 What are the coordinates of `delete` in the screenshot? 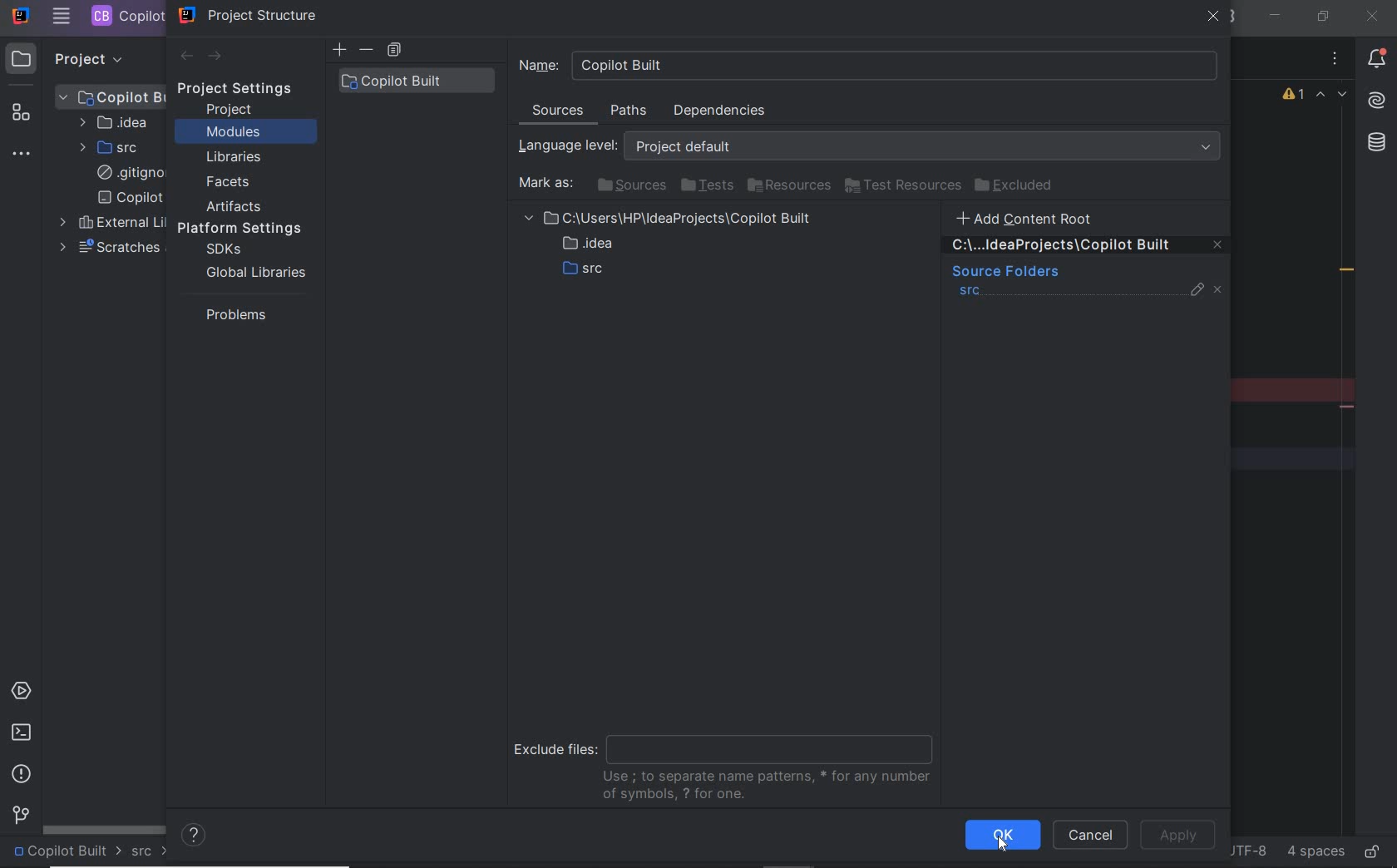 It's located at (368, 50).